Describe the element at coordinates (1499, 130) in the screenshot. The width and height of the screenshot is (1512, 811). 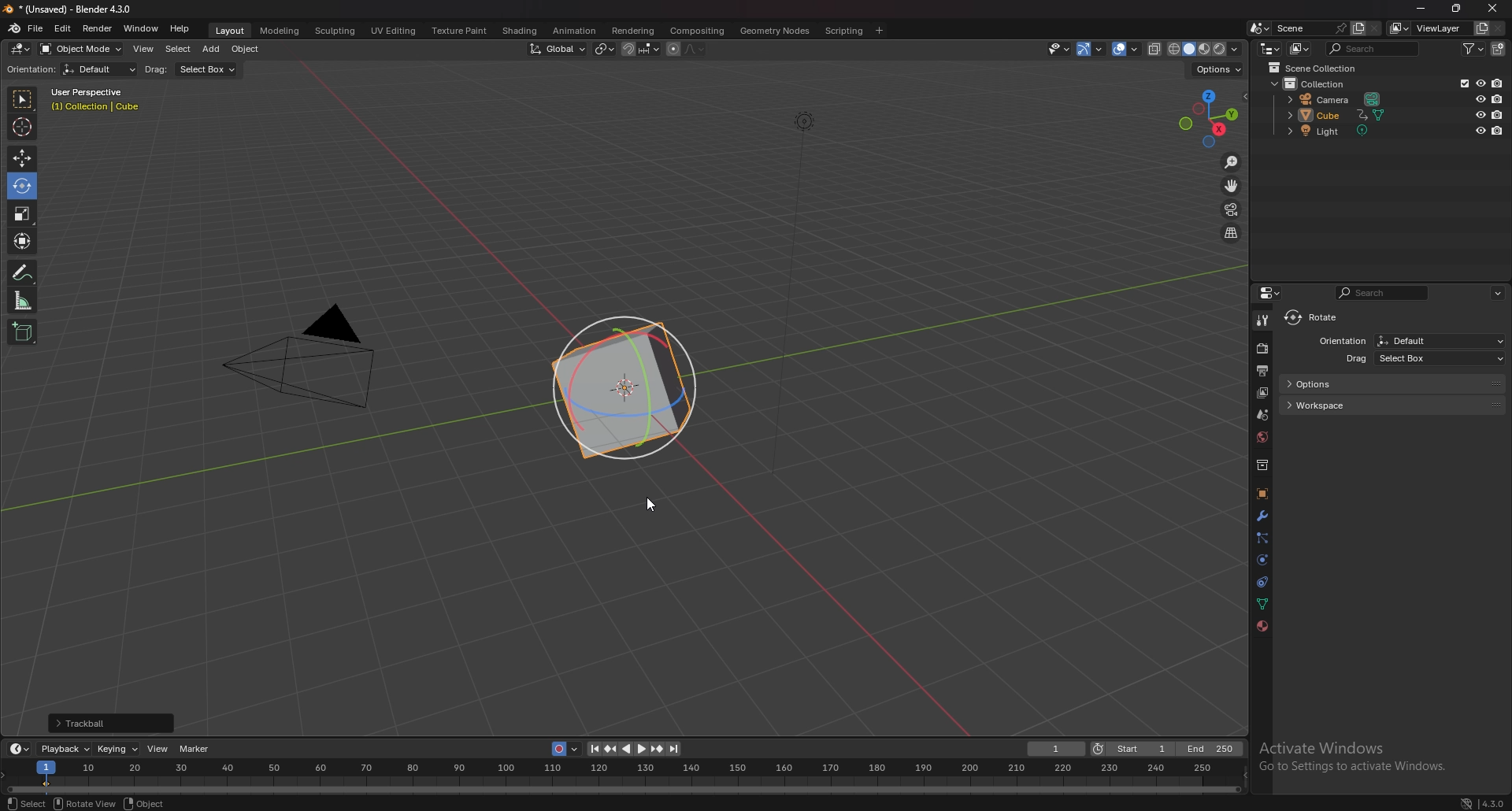
I see `disable in render` at that location.